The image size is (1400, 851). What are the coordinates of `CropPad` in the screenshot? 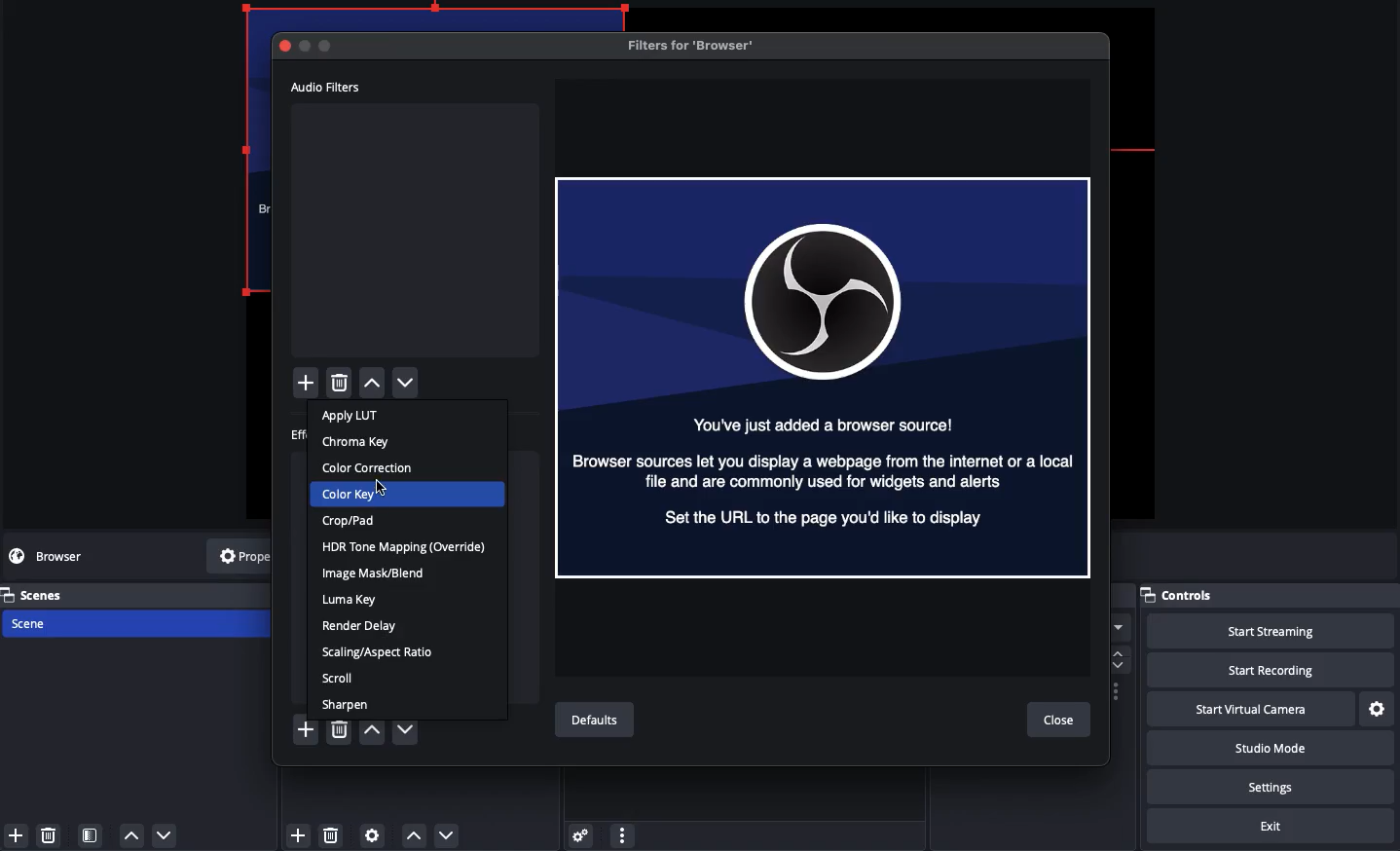 It's located at (350, 520).